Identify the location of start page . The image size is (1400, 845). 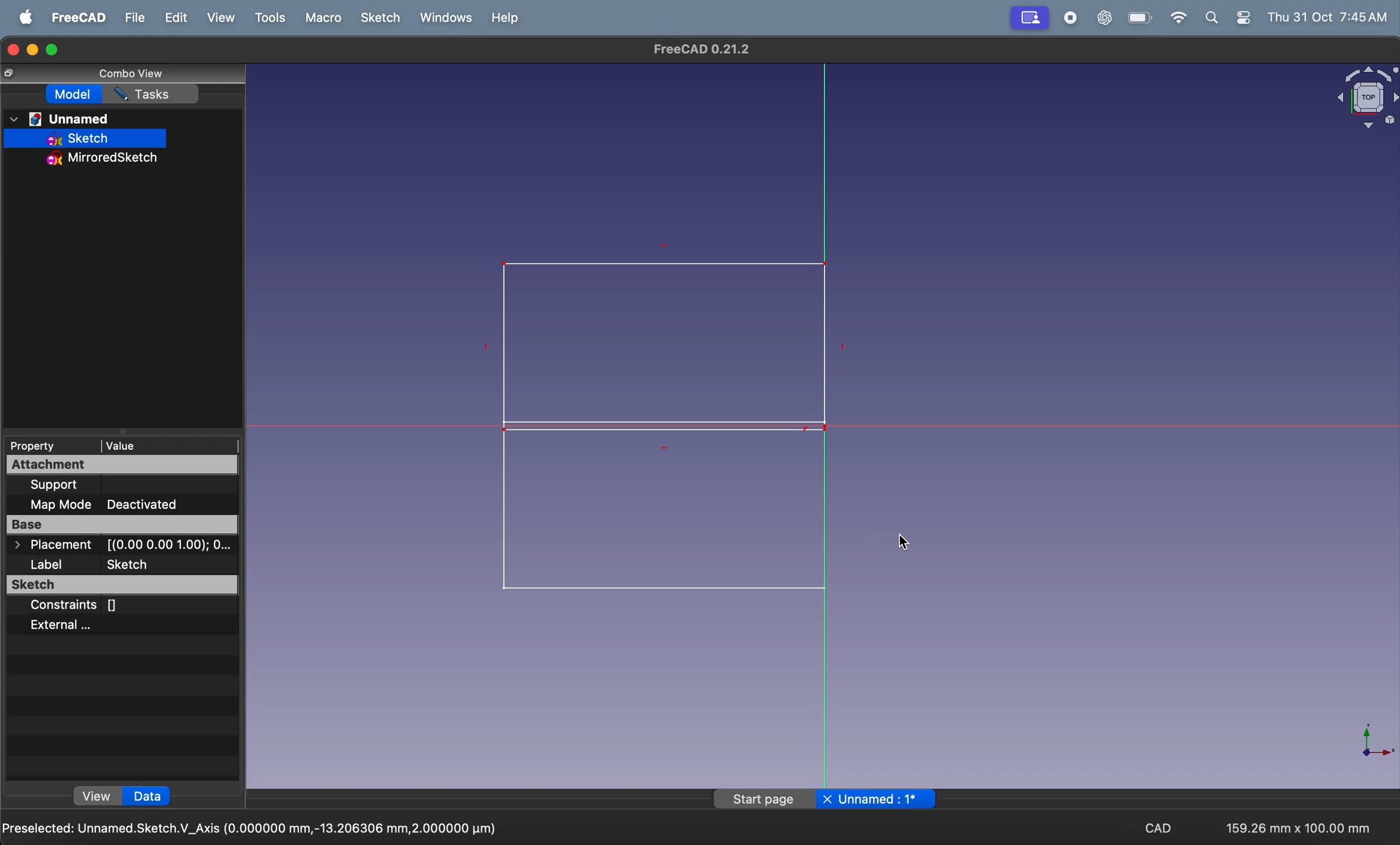
(764, 798).